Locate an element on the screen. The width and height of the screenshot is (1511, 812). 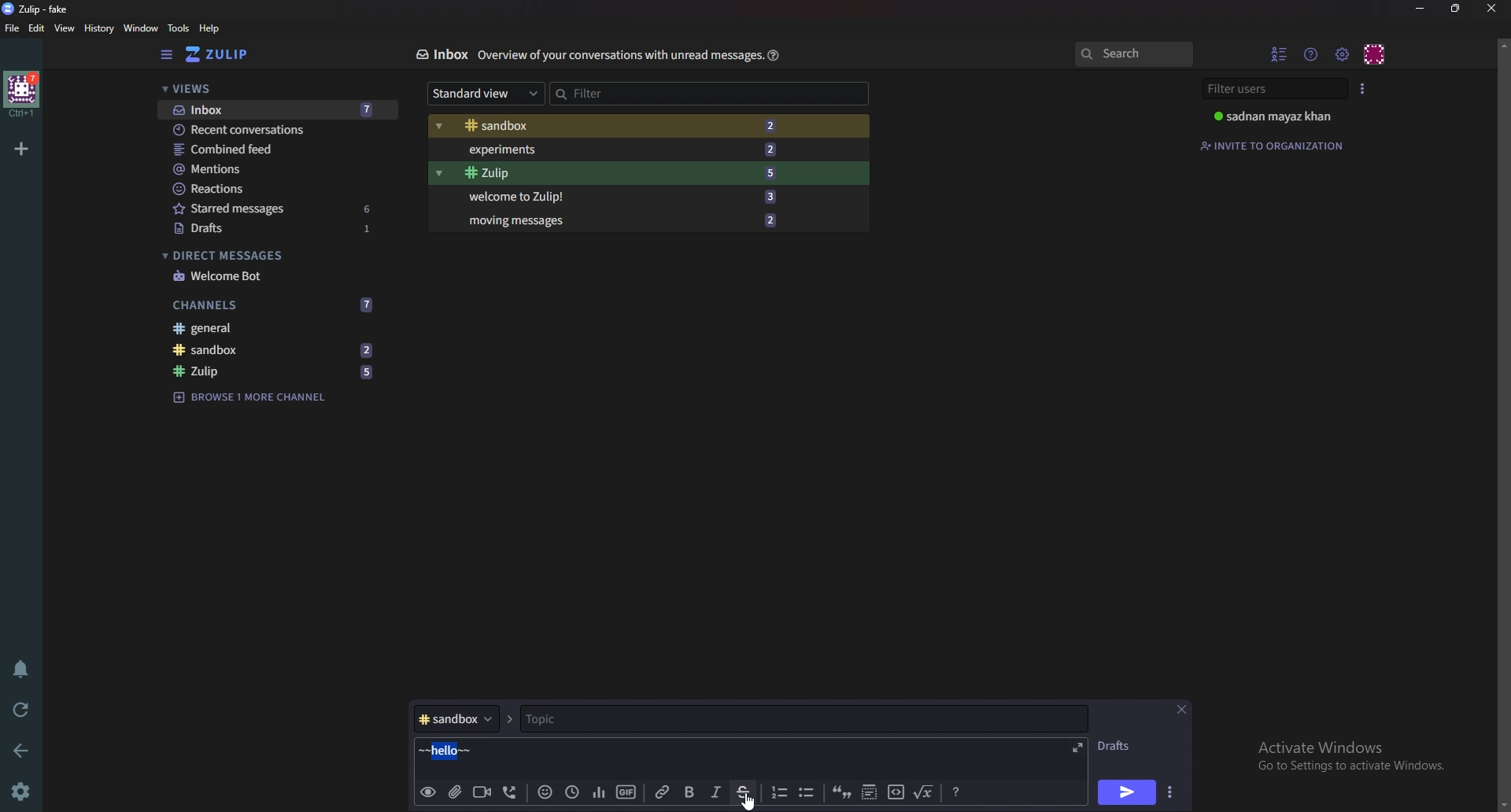
back is located at coordinates (20, 749).